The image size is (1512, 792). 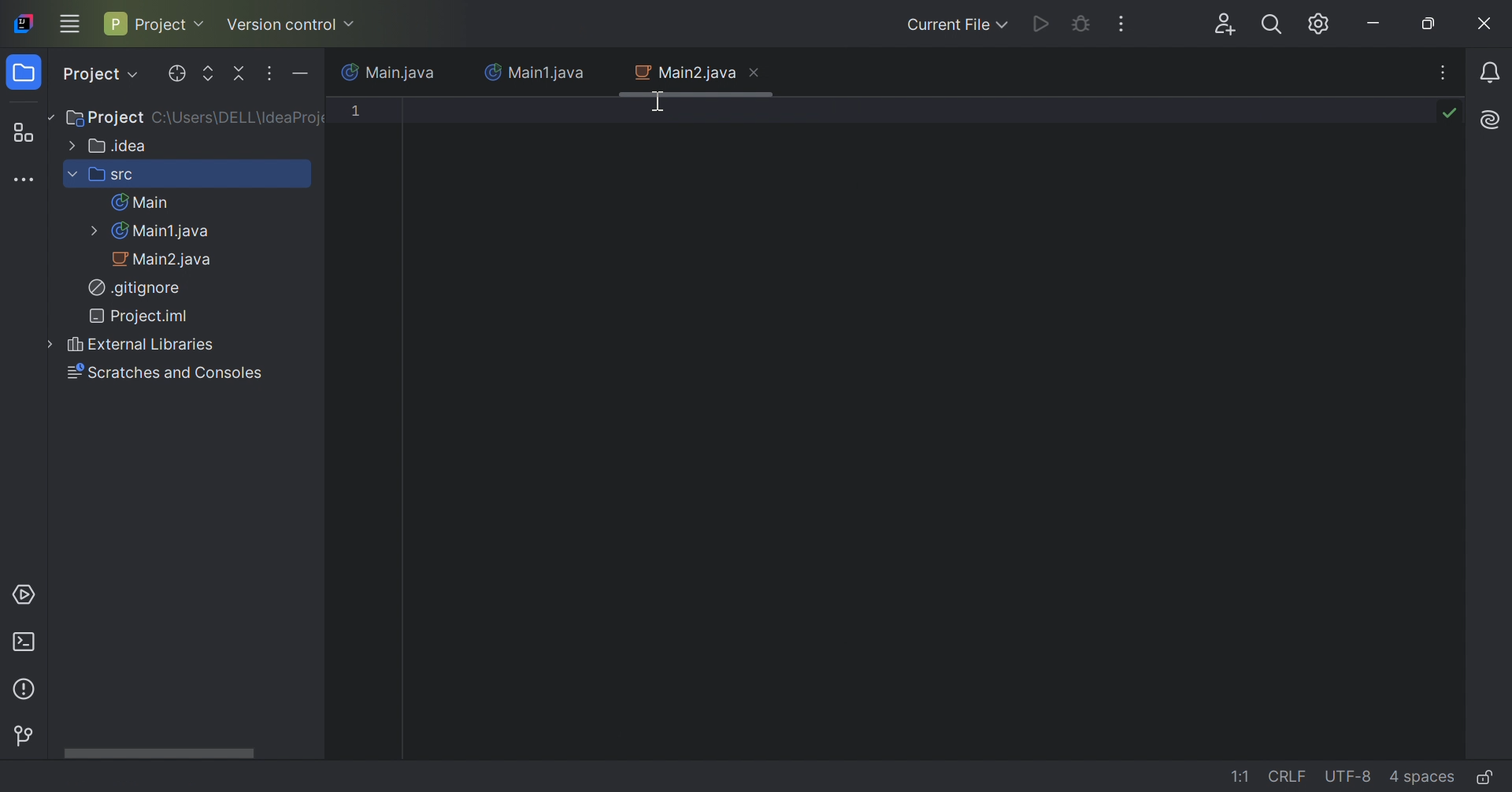 What do you see at coordinates (1243, 777) in the screenshot?
I see `1:1` at bounding box center [1243, 777].